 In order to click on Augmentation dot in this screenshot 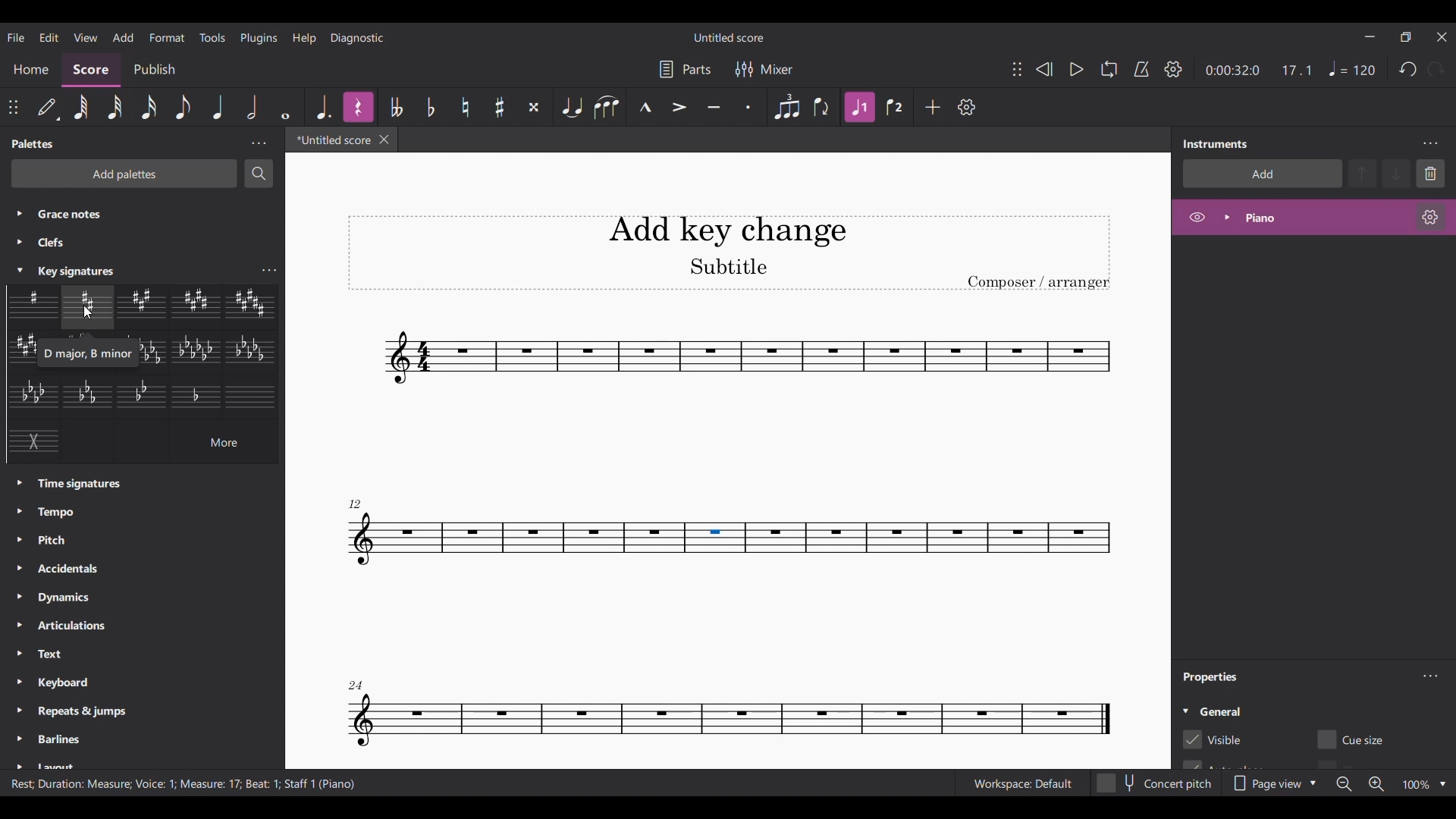, I will do `click(325, 107)`.